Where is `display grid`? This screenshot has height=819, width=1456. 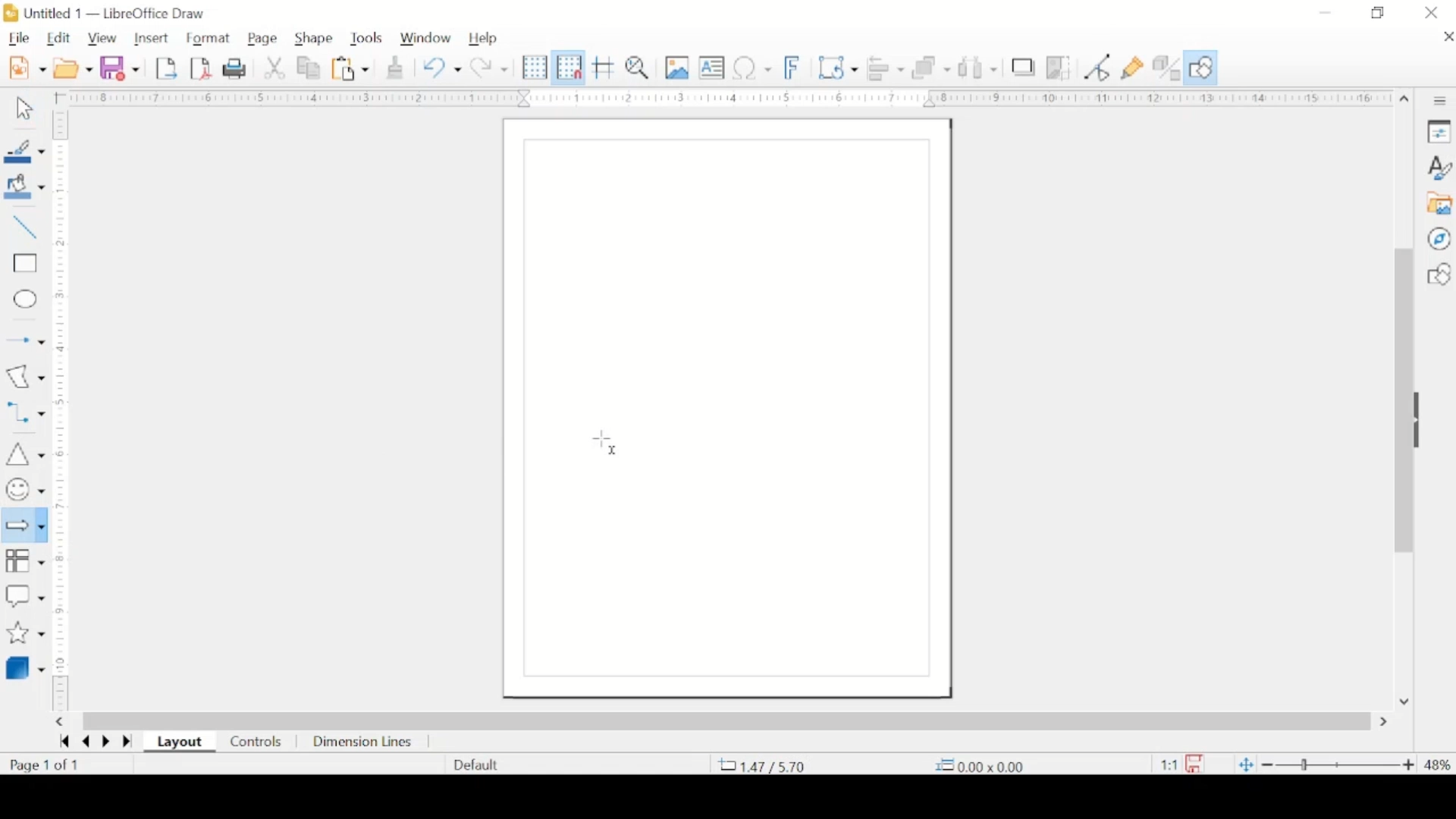
display grid is located at coordinates (534, 67).